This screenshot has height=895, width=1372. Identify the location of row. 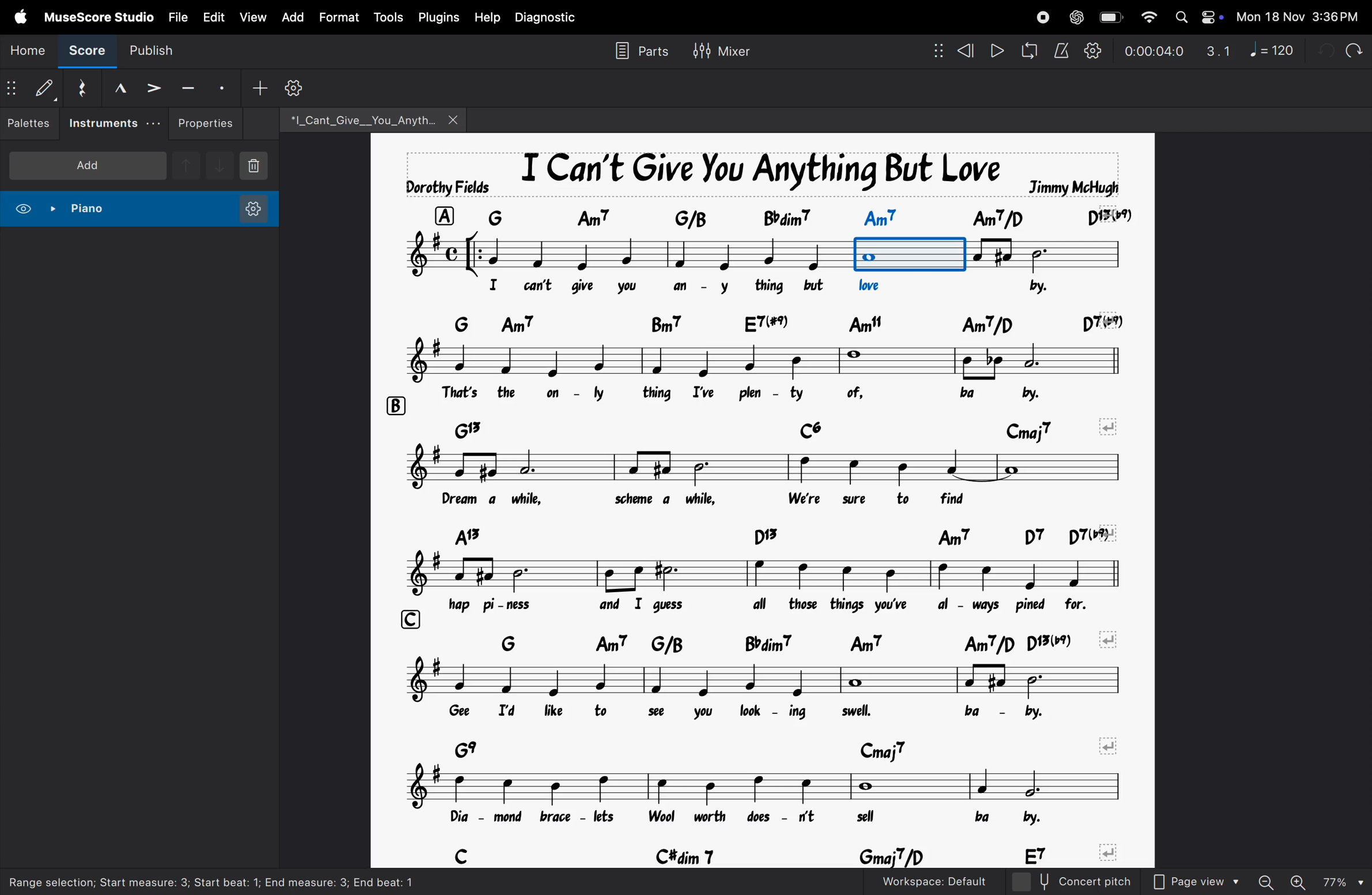
(415, 622).